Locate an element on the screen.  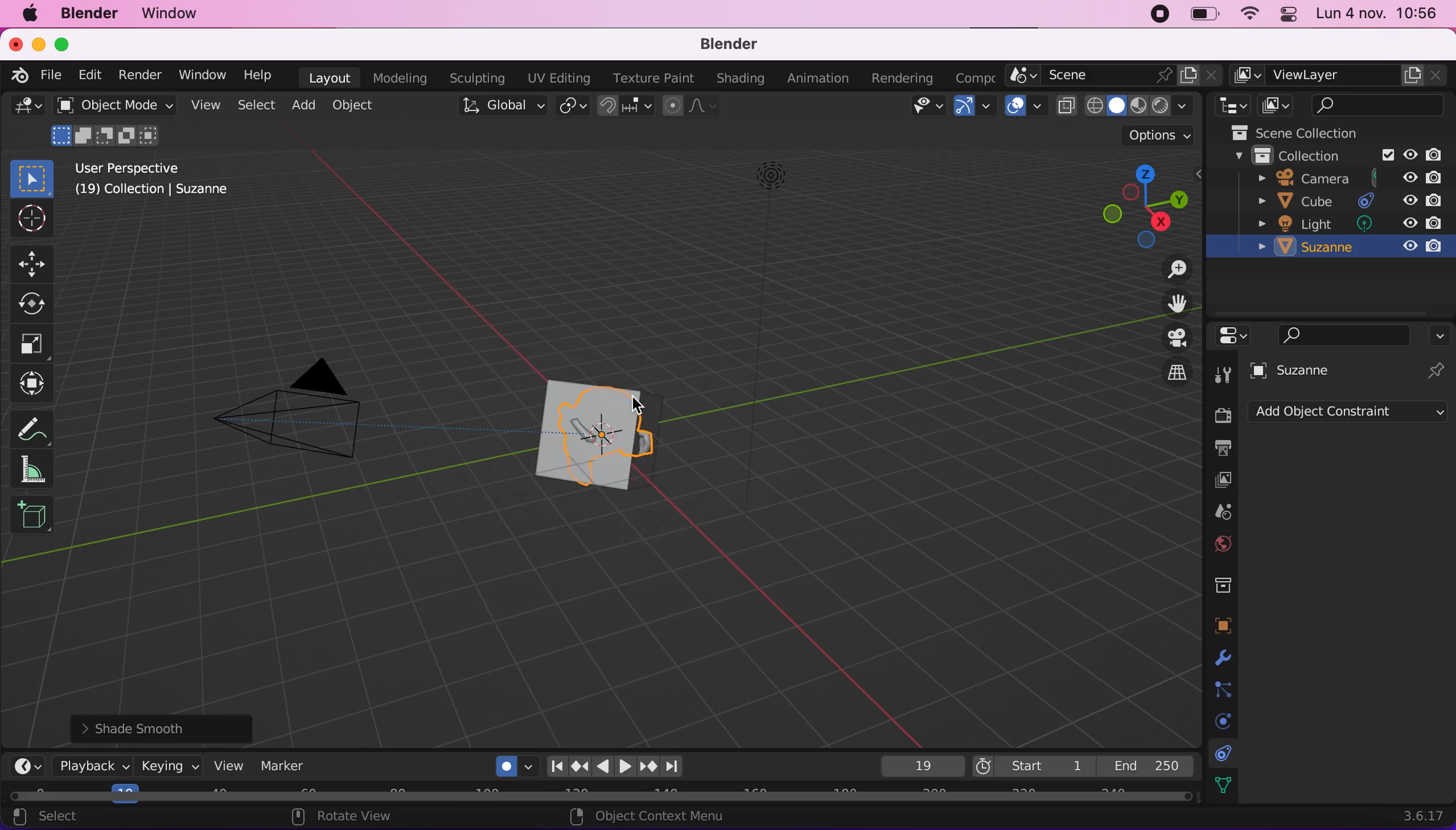
toggle the view is located at coordinates (1176, 338).